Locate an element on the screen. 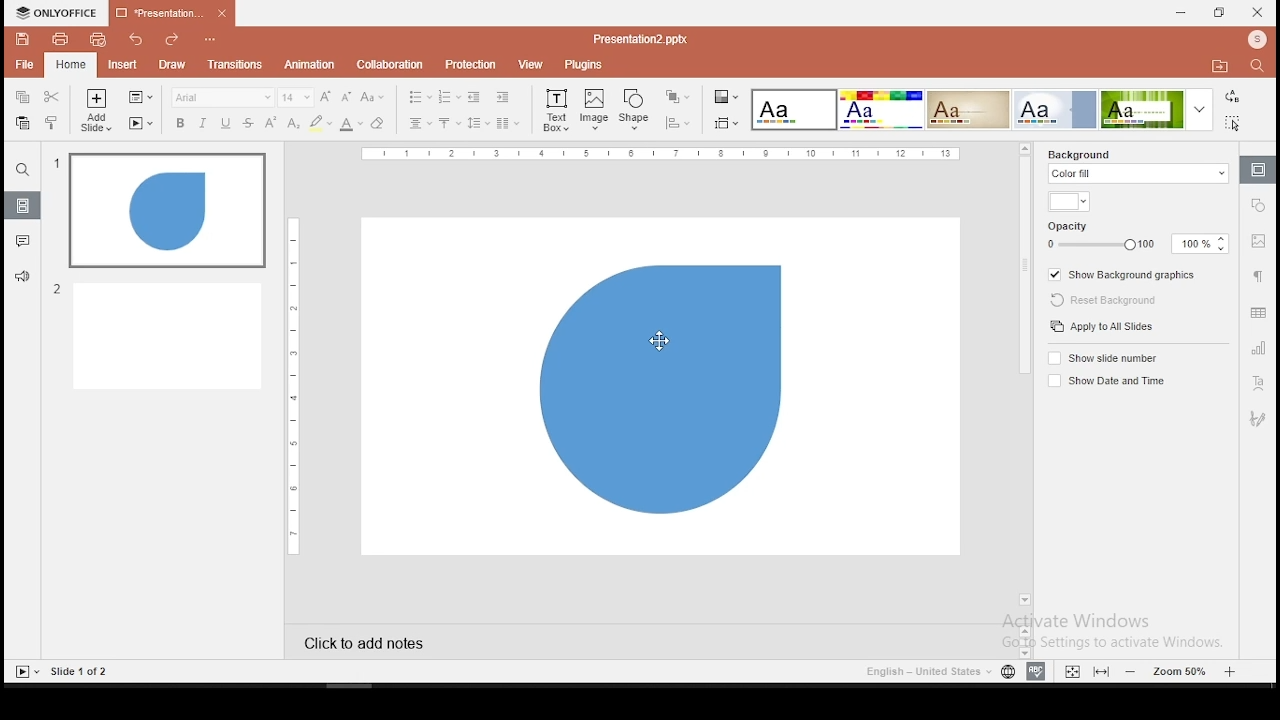  animation is located at coordinates (311, 64).